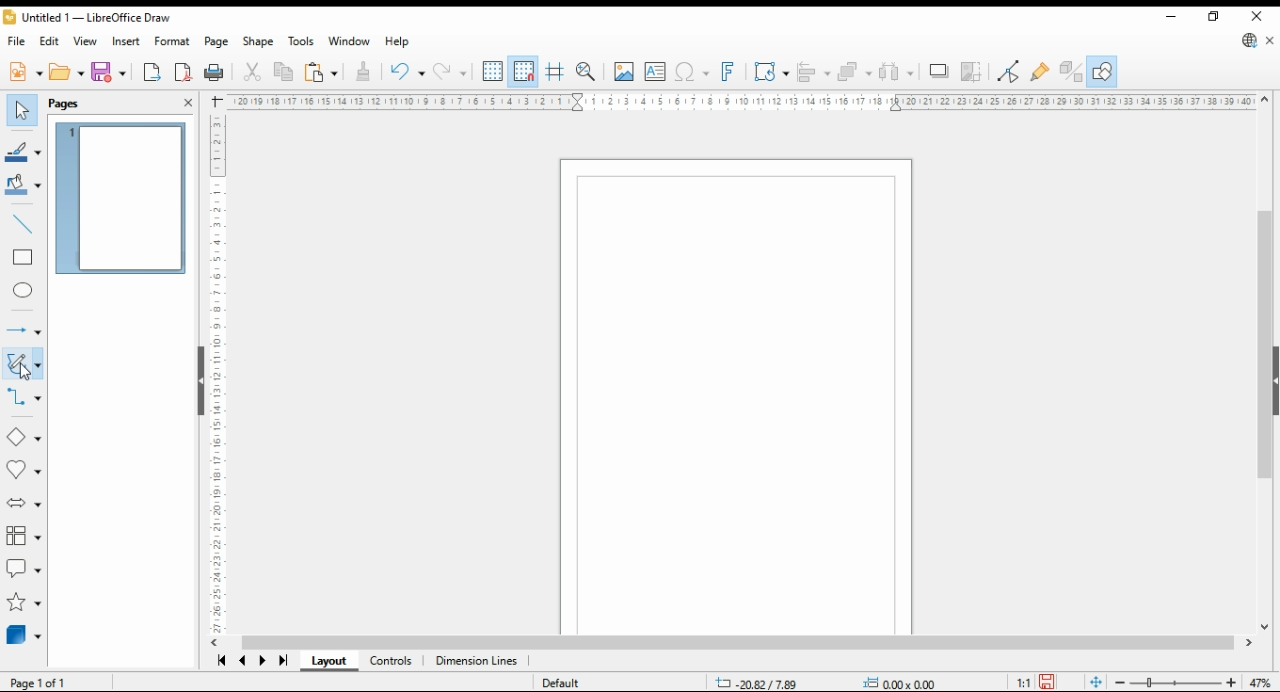 Image resolution: width=1280 pixels, height=692 pixels. Describe the element at coordinates (25, 225) in the screenshot. I see `insert line ` at that location.